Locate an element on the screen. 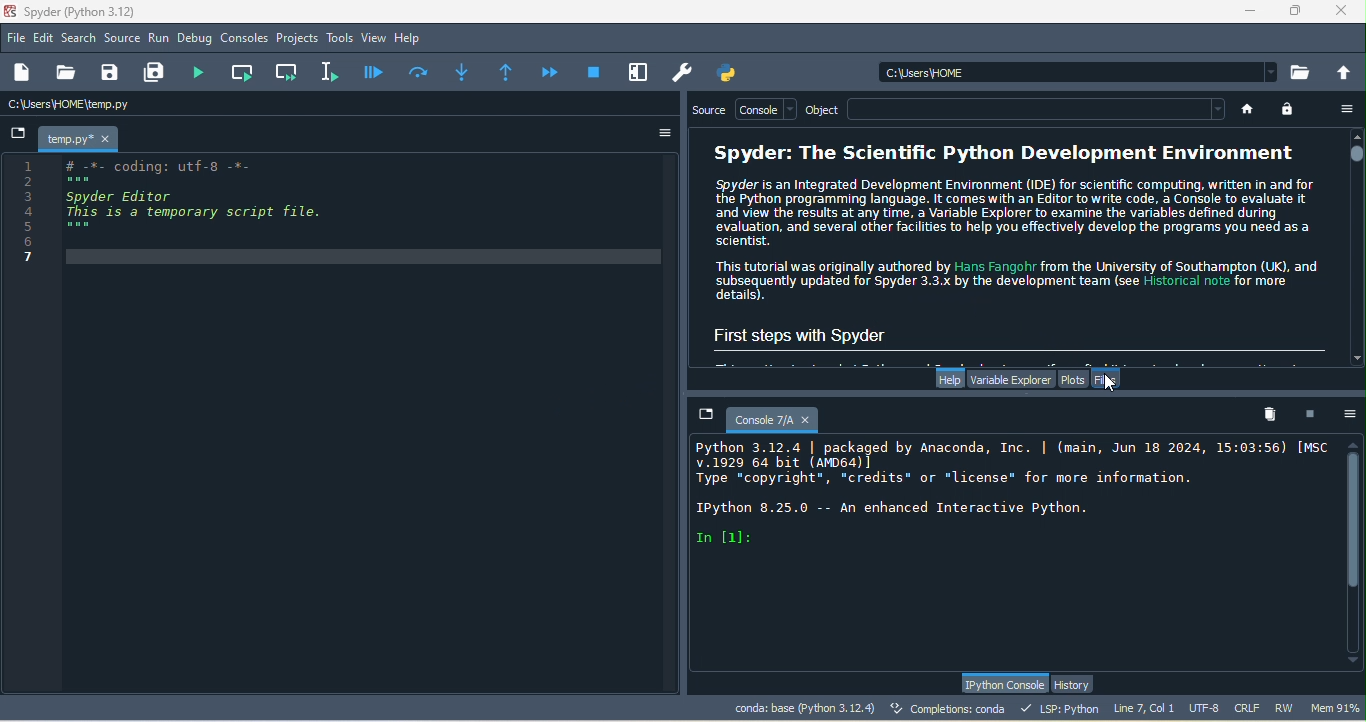 This screenshot has height=722, width=1366. lock is located at coordinates (1290, 109).